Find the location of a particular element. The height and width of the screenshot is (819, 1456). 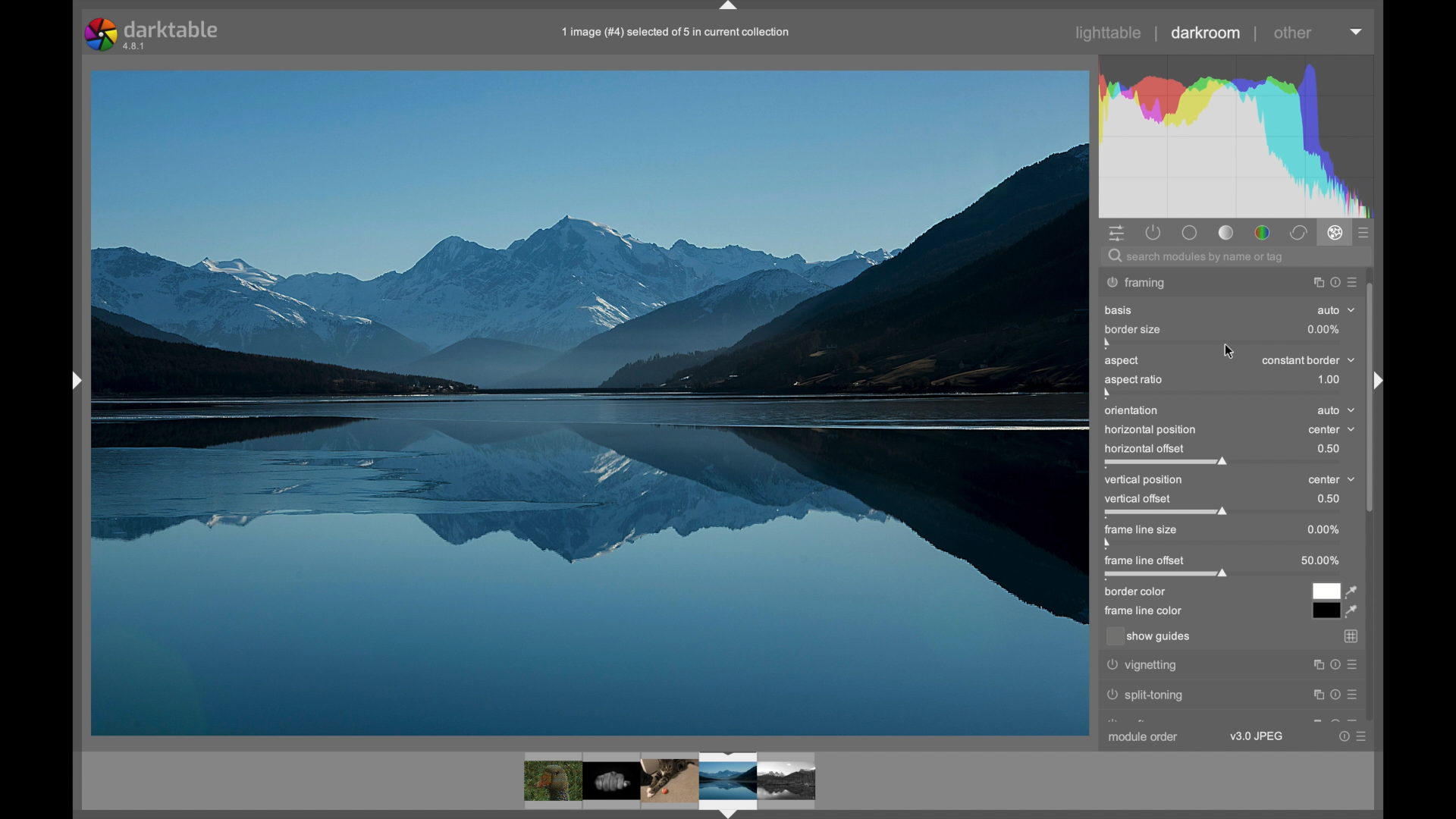

center dropdown is located at coordinates (1333, 480).